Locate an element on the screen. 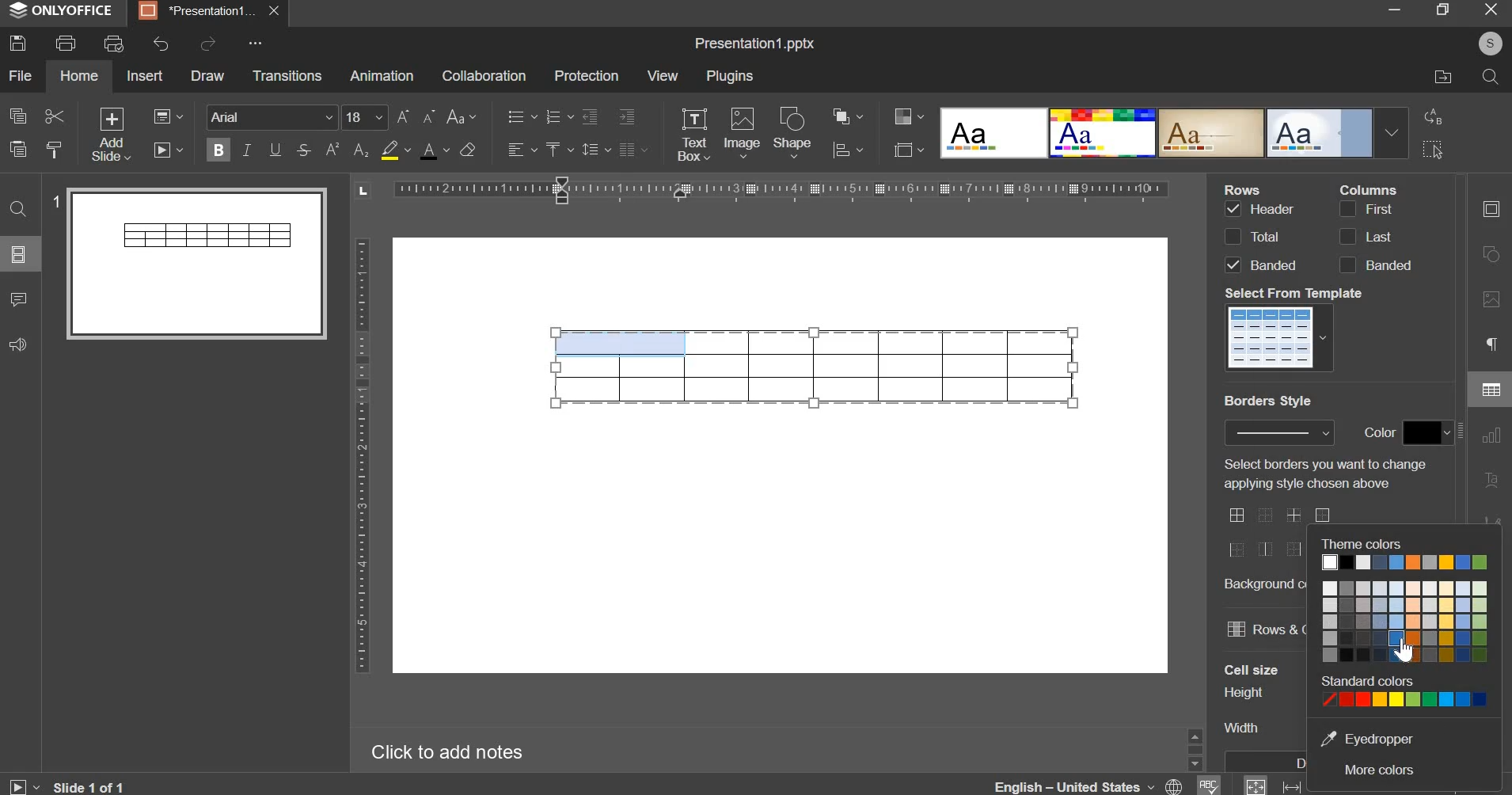 Image resolution: width=1512 pixels, height=795 pixels. view is located at coordinates (663, 75).